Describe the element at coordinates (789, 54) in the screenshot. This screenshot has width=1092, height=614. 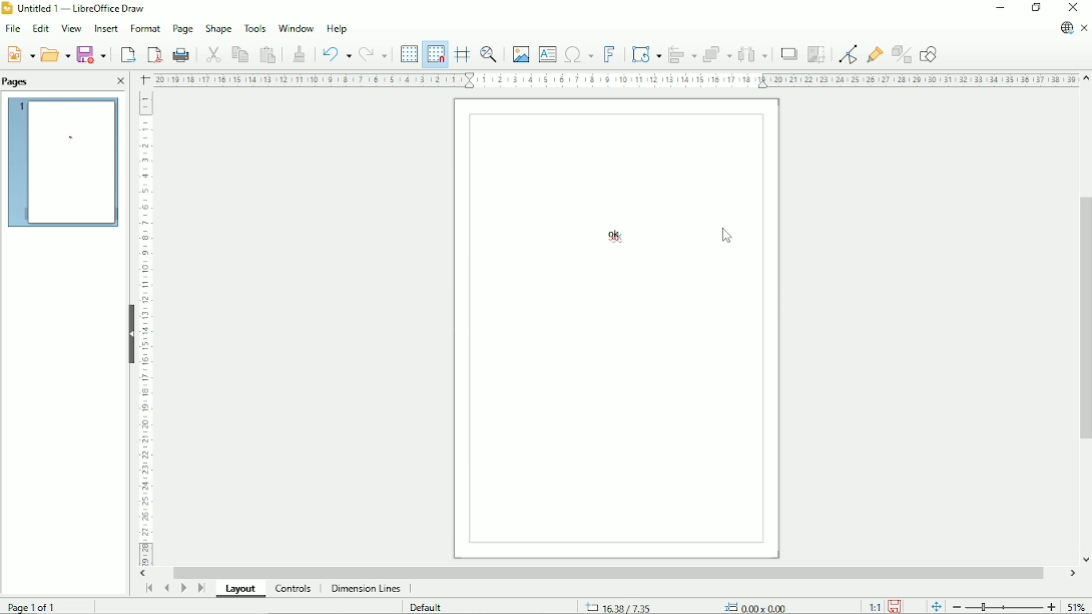
I see `Shadow` at that location.